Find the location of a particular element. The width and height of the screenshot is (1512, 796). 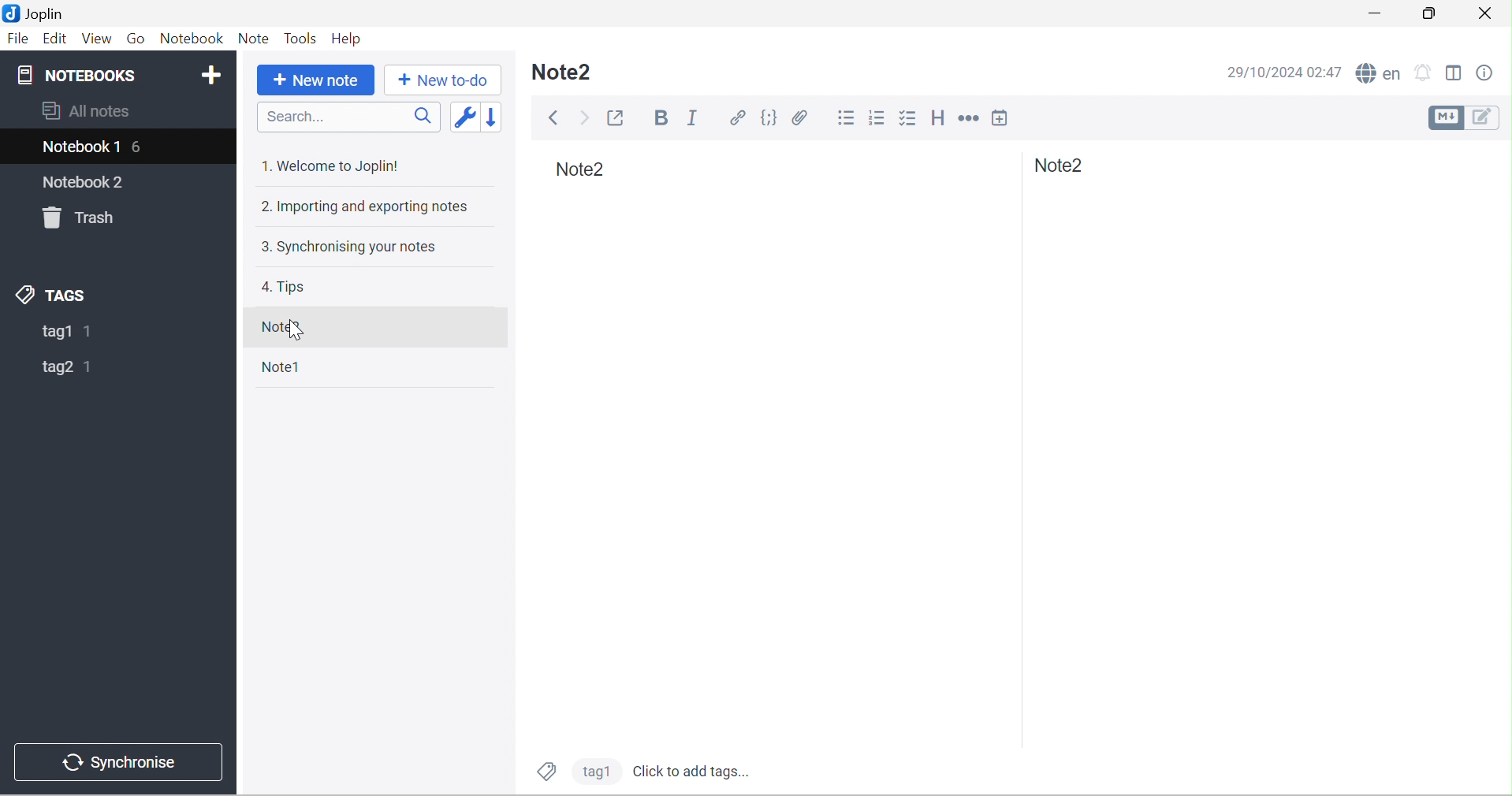

Forward is located at coordinates (587, 118).